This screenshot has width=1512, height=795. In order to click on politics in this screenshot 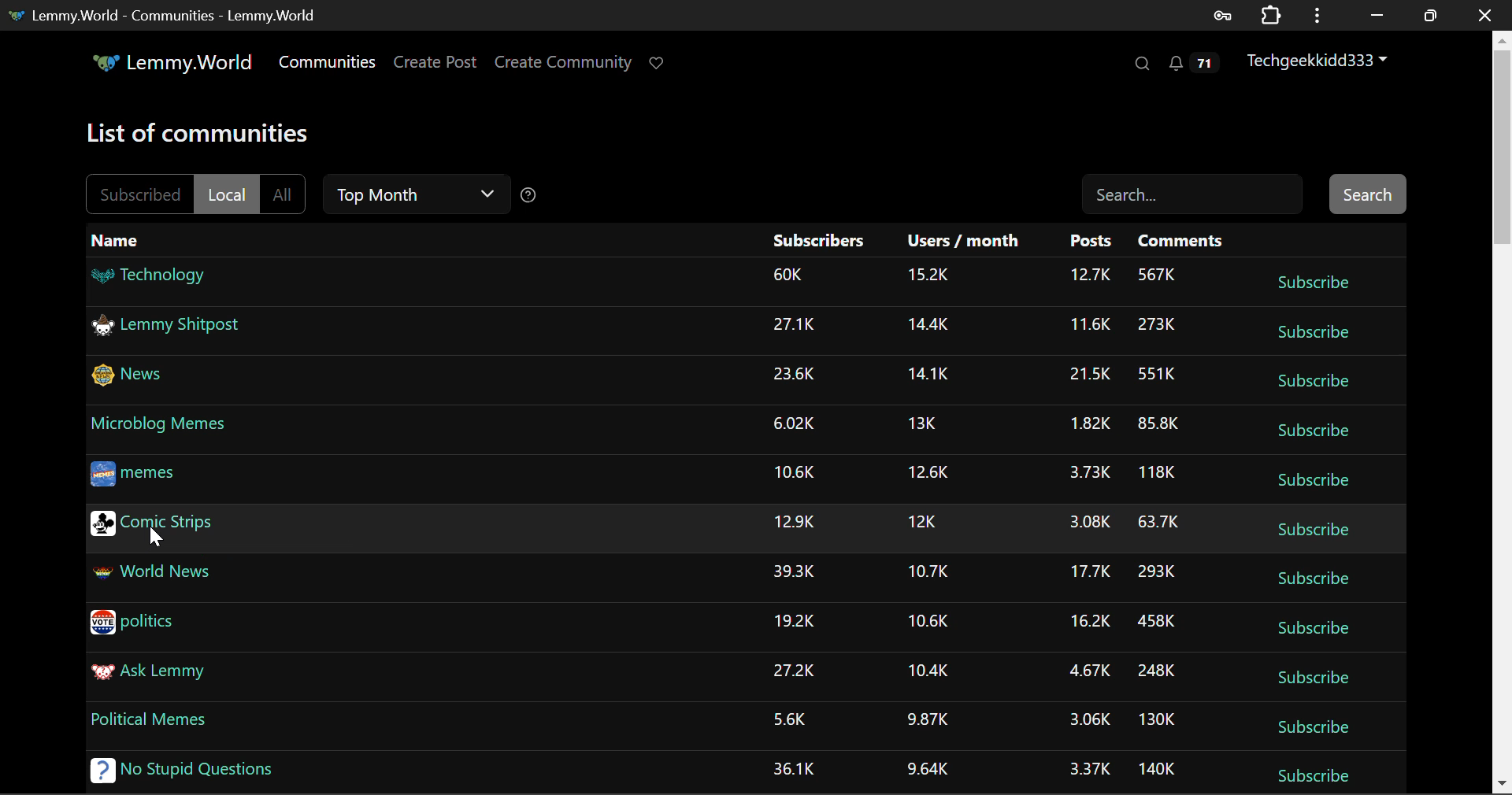, I will do `click(136, 623)`.